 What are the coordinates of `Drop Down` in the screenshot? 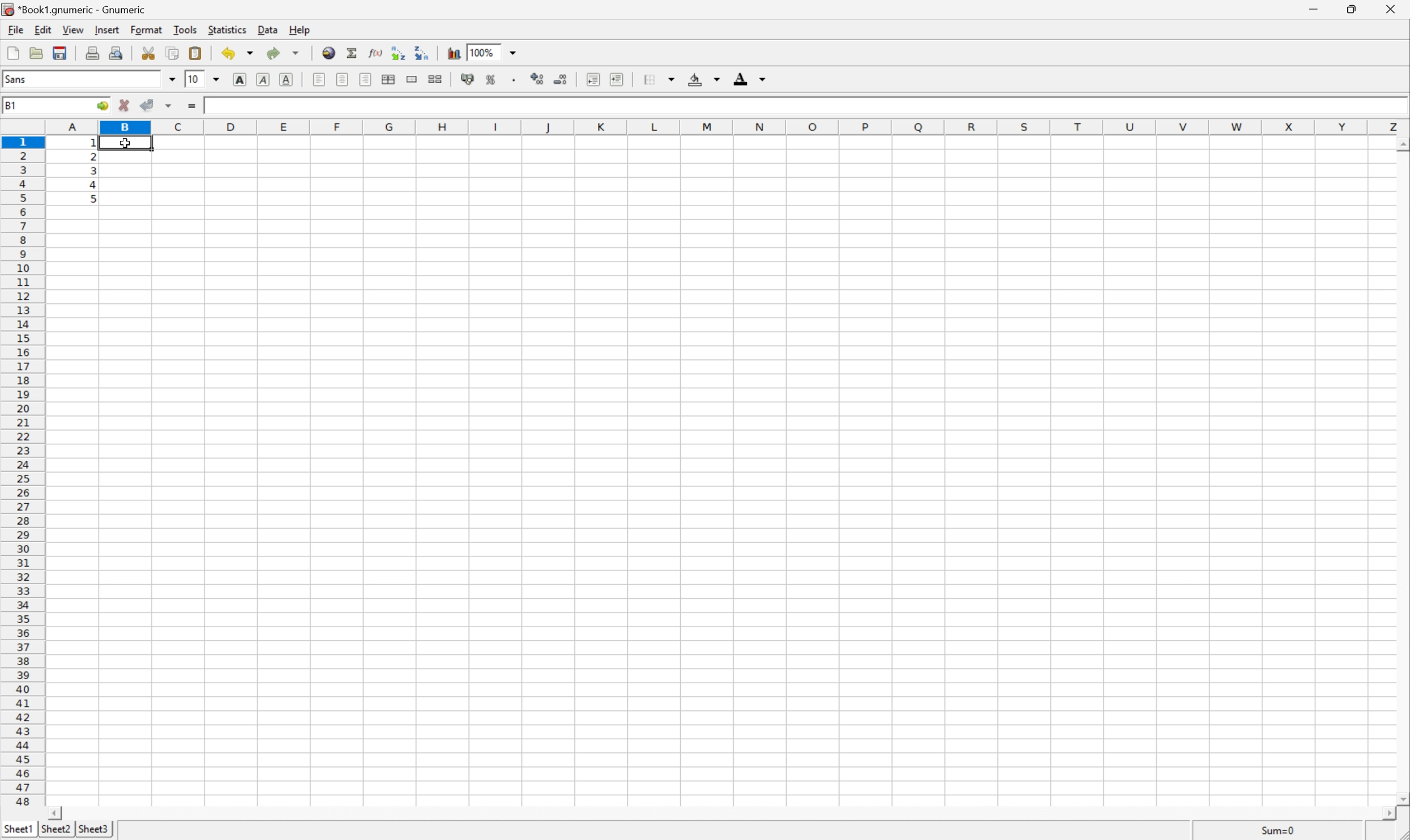 It's located at (512, 53).